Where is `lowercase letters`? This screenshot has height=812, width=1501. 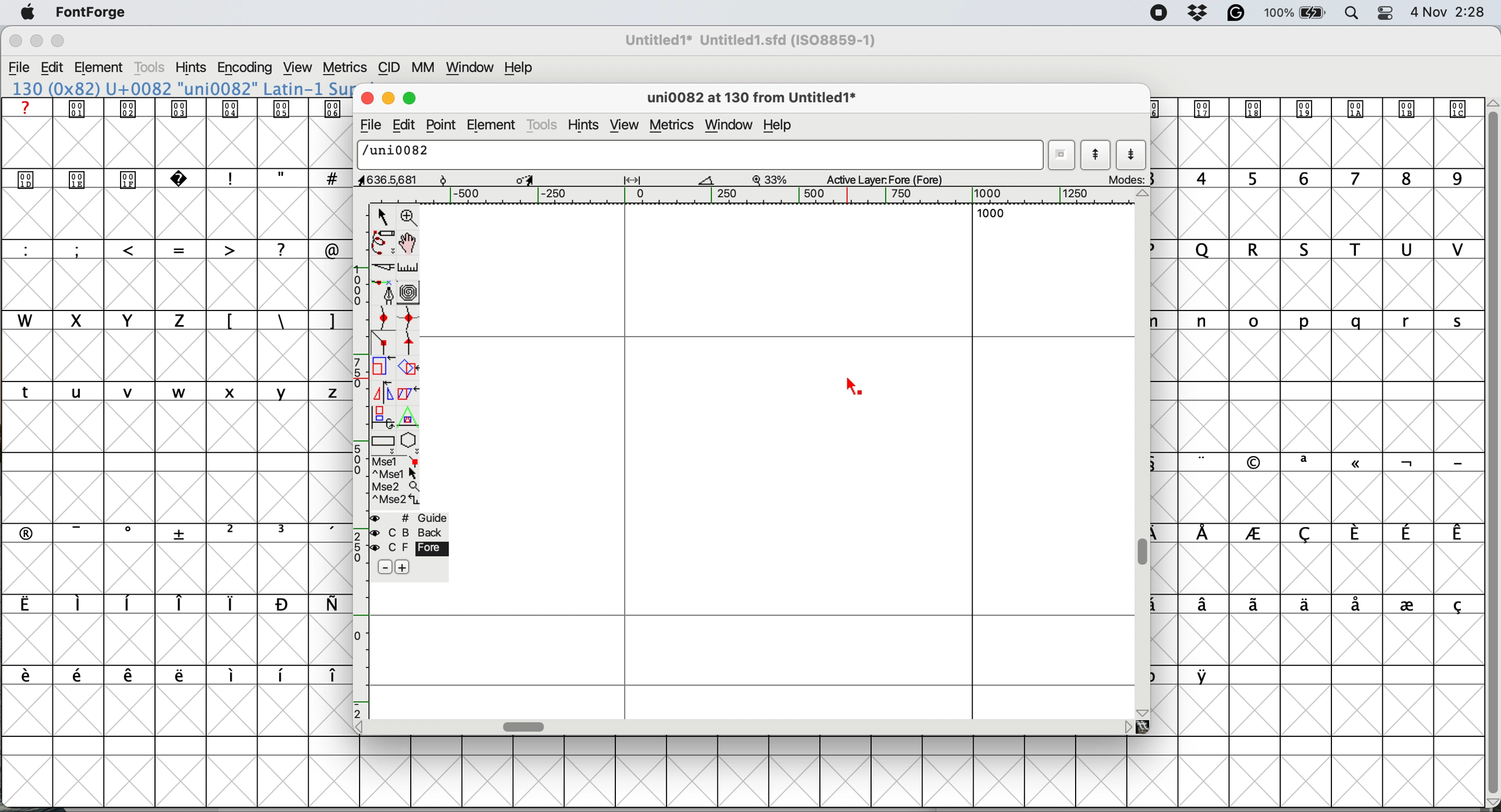 lowercase letters is located at coordinates (1327, 321).